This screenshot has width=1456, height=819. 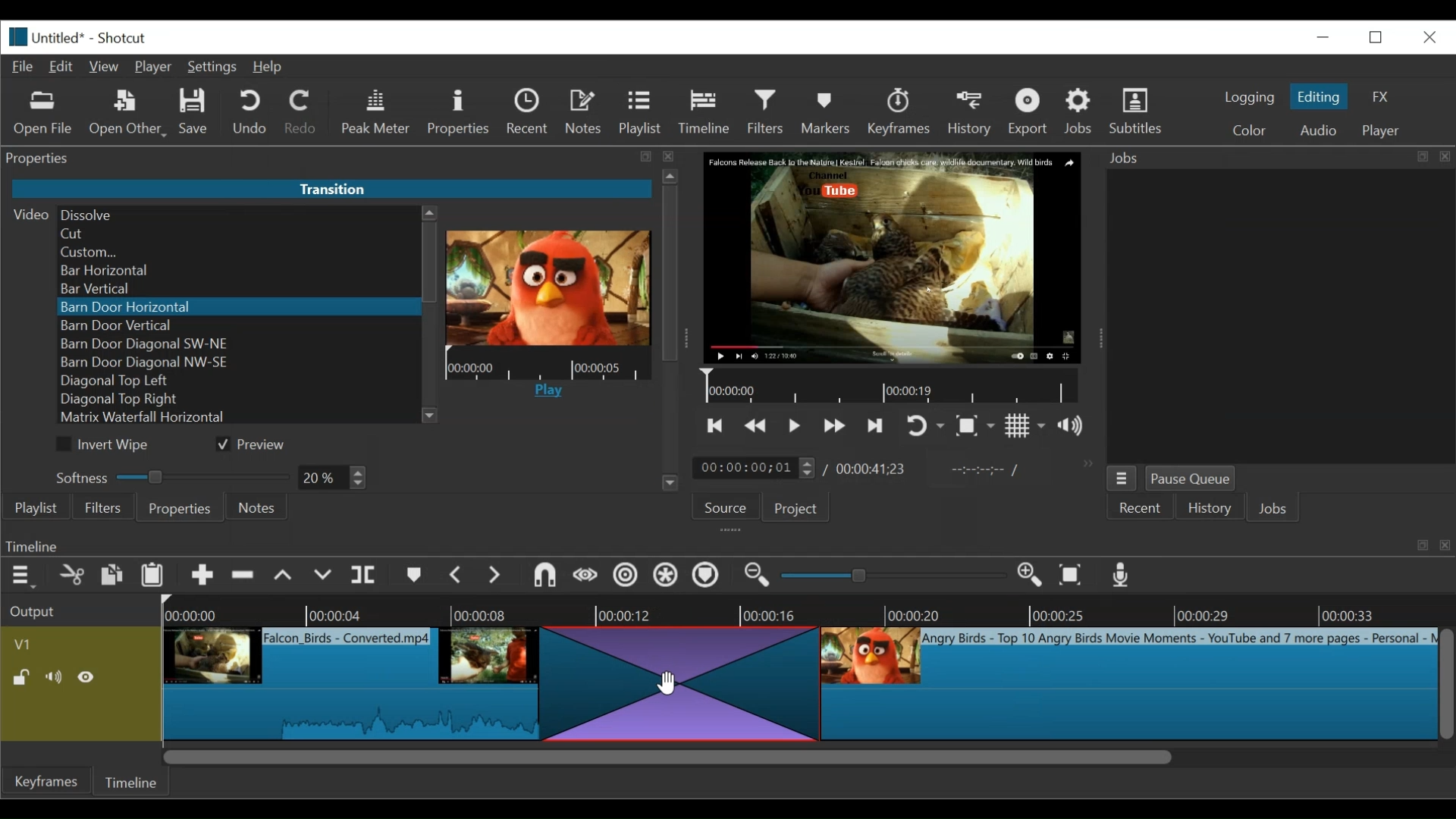 I want to click on In Point, so click(x=988, y=473).